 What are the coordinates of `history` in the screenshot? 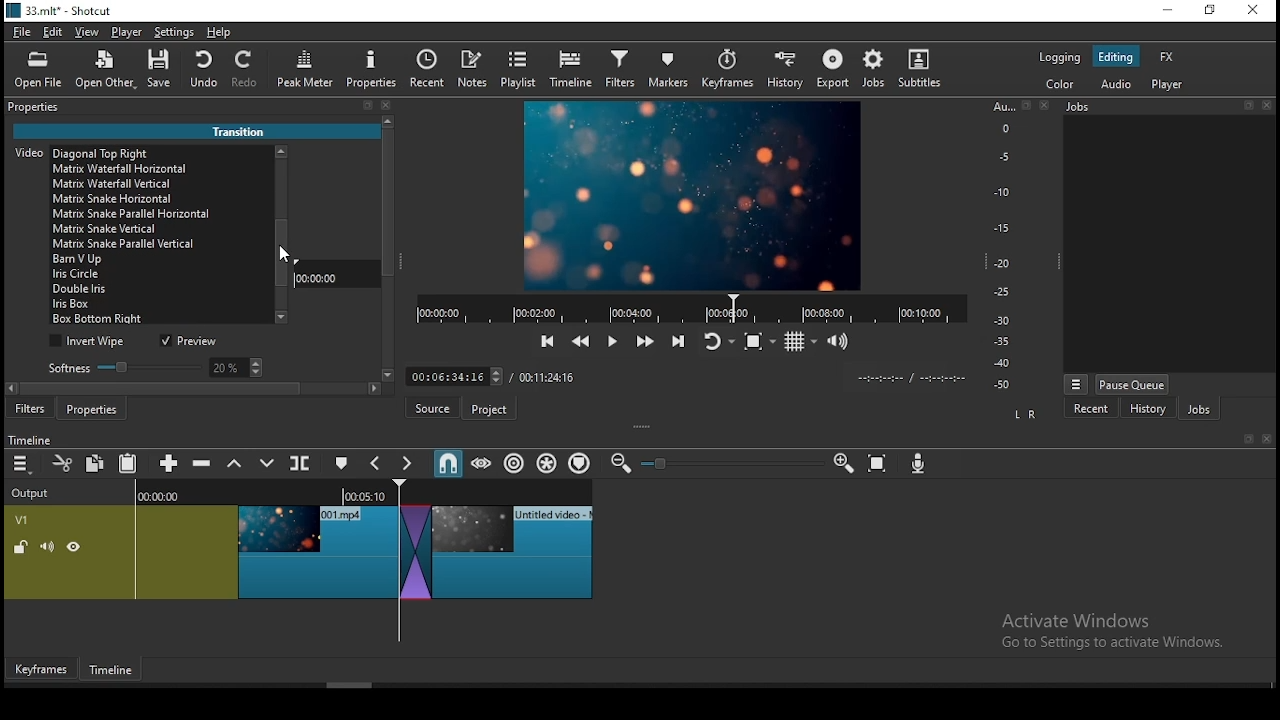 It's located at (782, 71).